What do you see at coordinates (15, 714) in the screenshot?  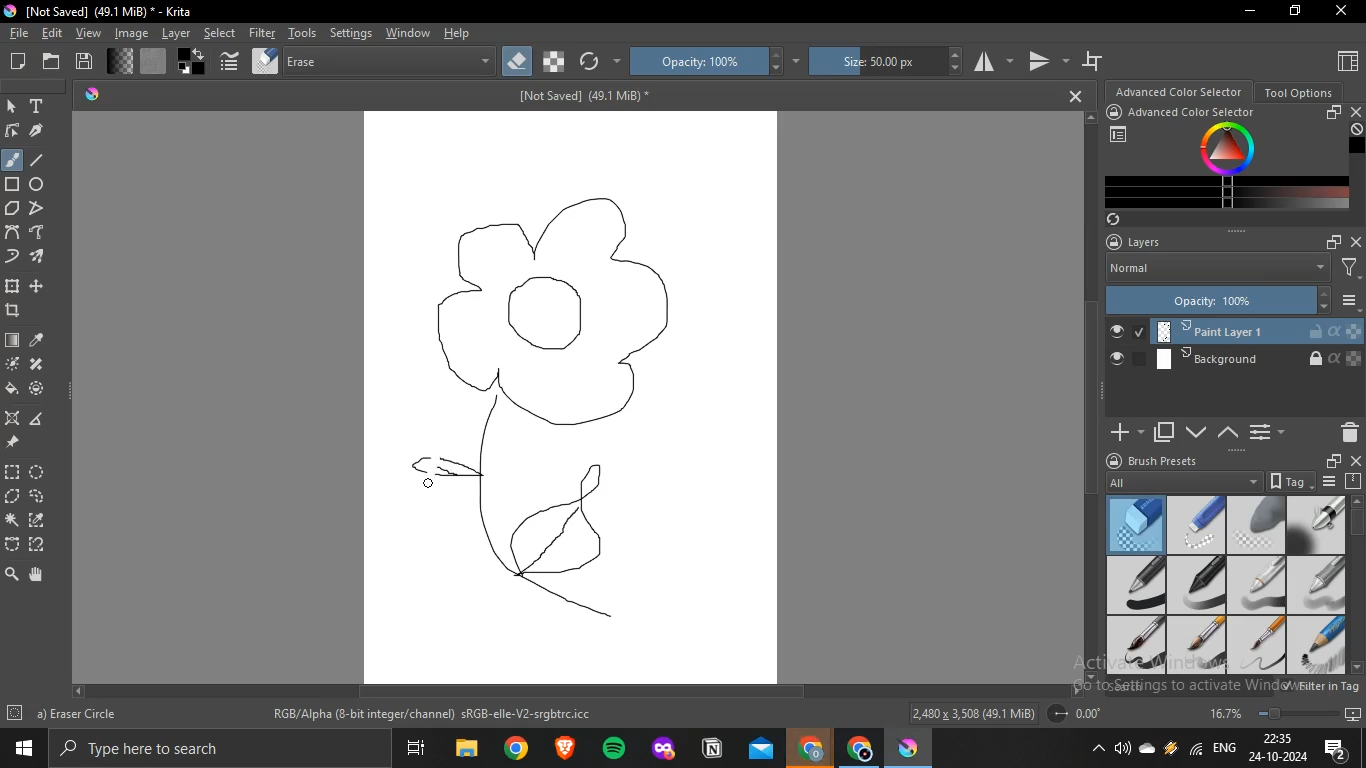 I see `Settings` at bounding box center [15, 714].